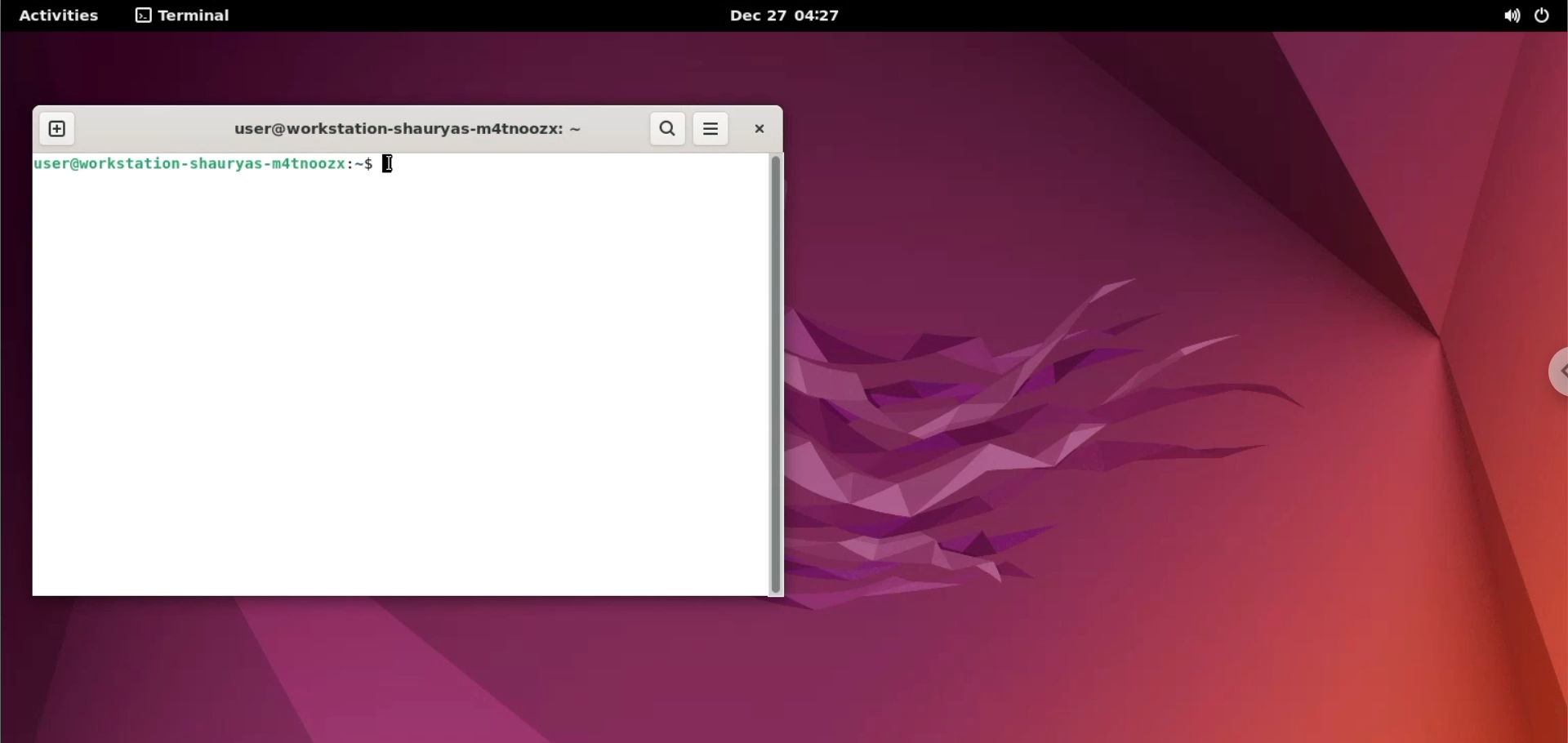 Image resolution: width=1568 pixels, height=743 pixels. I want to click on new tab, so click(58, 130).